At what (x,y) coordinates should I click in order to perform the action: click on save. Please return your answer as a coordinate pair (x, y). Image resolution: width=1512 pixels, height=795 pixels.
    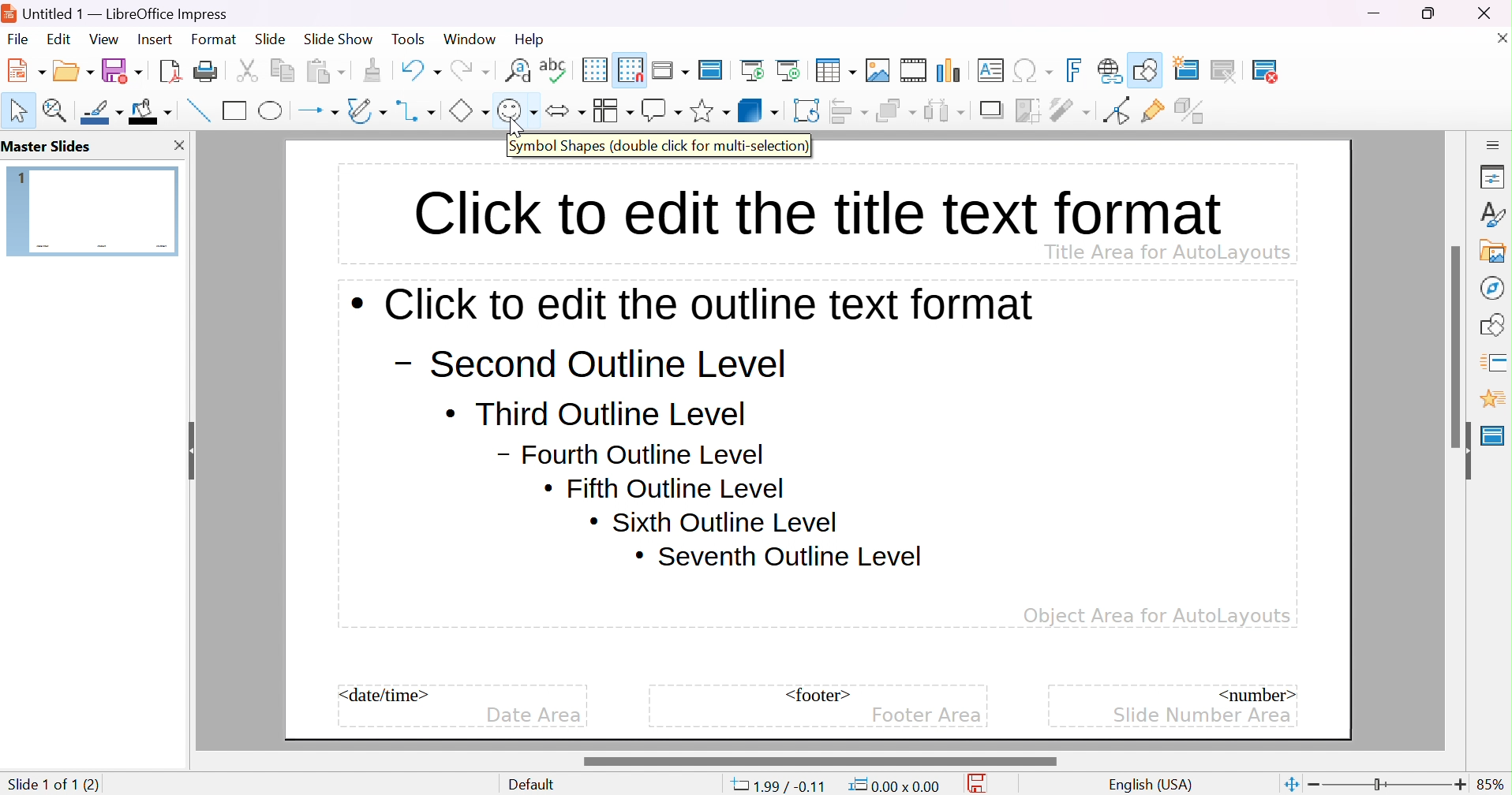
    Looking at the image, I should click on (122, 70).